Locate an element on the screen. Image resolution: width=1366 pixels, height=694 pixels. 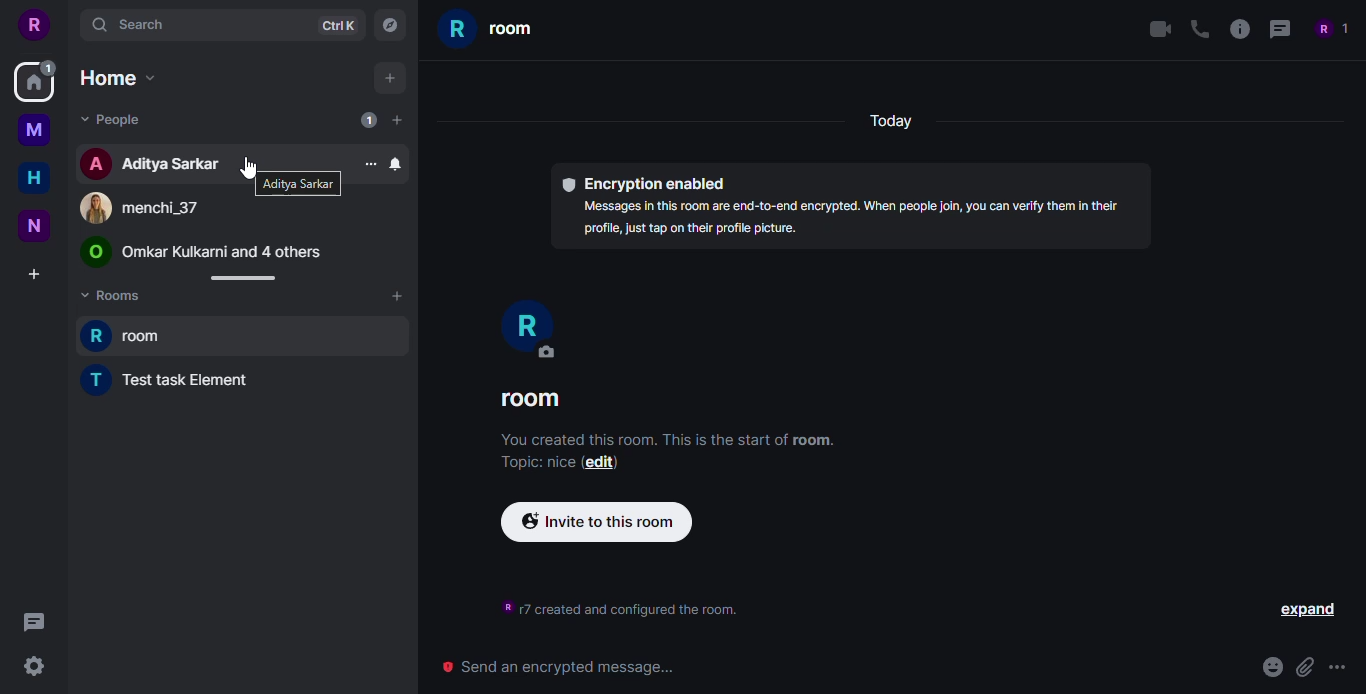
menchi_37 is located at coordinates (137, 209).